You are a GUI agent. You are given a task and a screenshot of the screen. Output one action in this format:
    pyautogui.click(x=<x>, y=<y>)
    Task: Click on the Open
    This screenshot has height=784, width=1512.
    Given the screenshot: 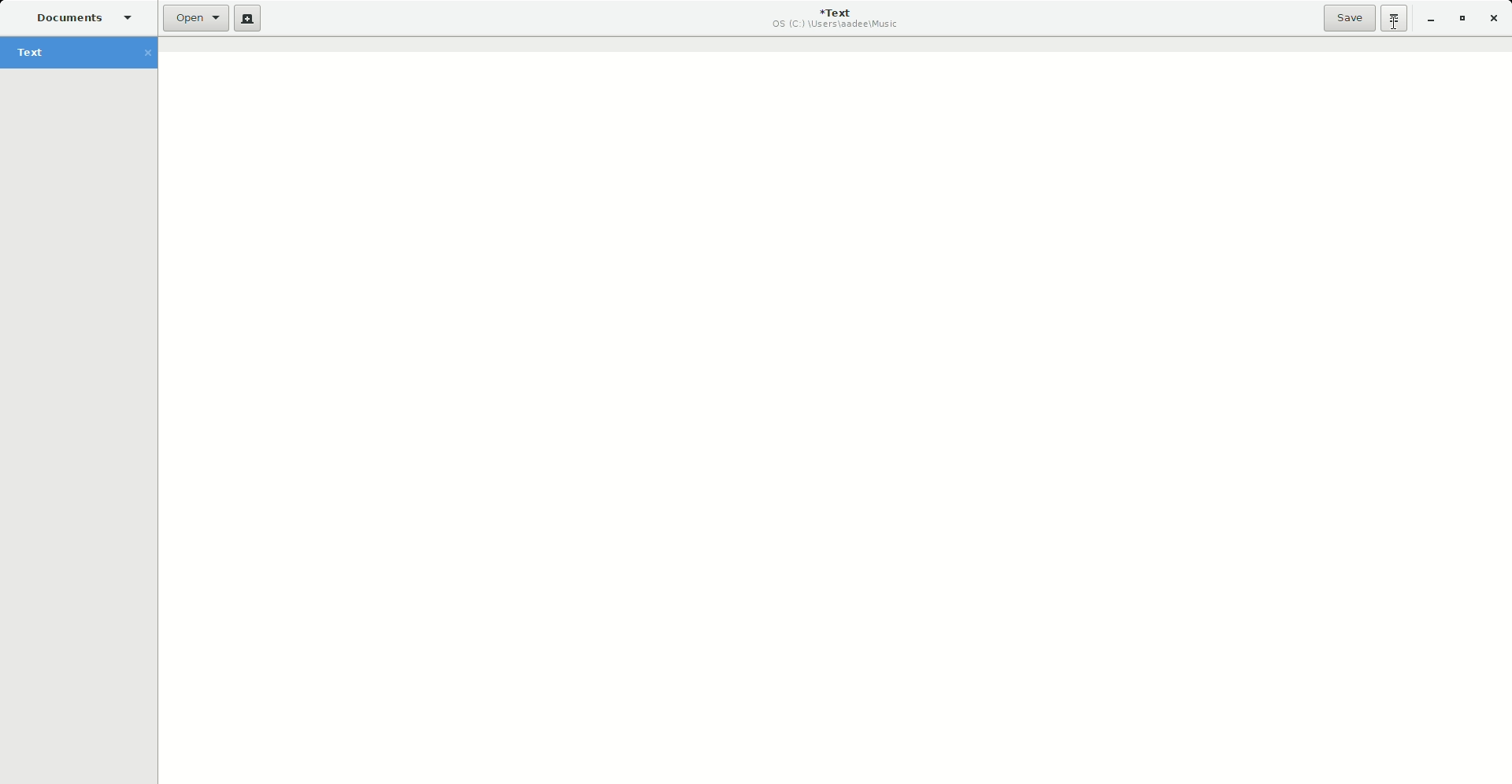 What is the action you would take?
    pyautogui.click(x=196, y=19)
    